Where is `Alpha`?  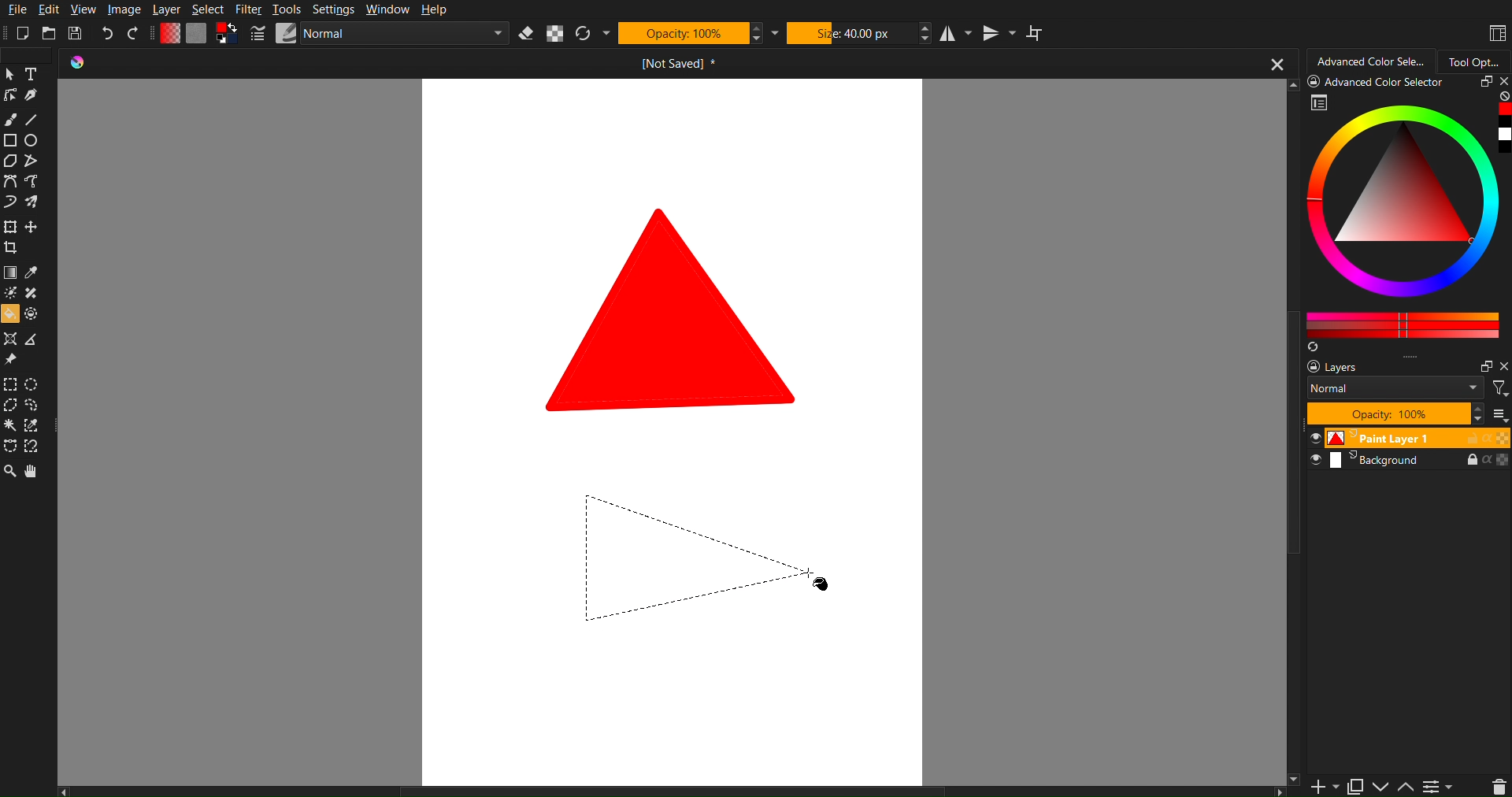 Alpha is located at coordinates (552, 34).